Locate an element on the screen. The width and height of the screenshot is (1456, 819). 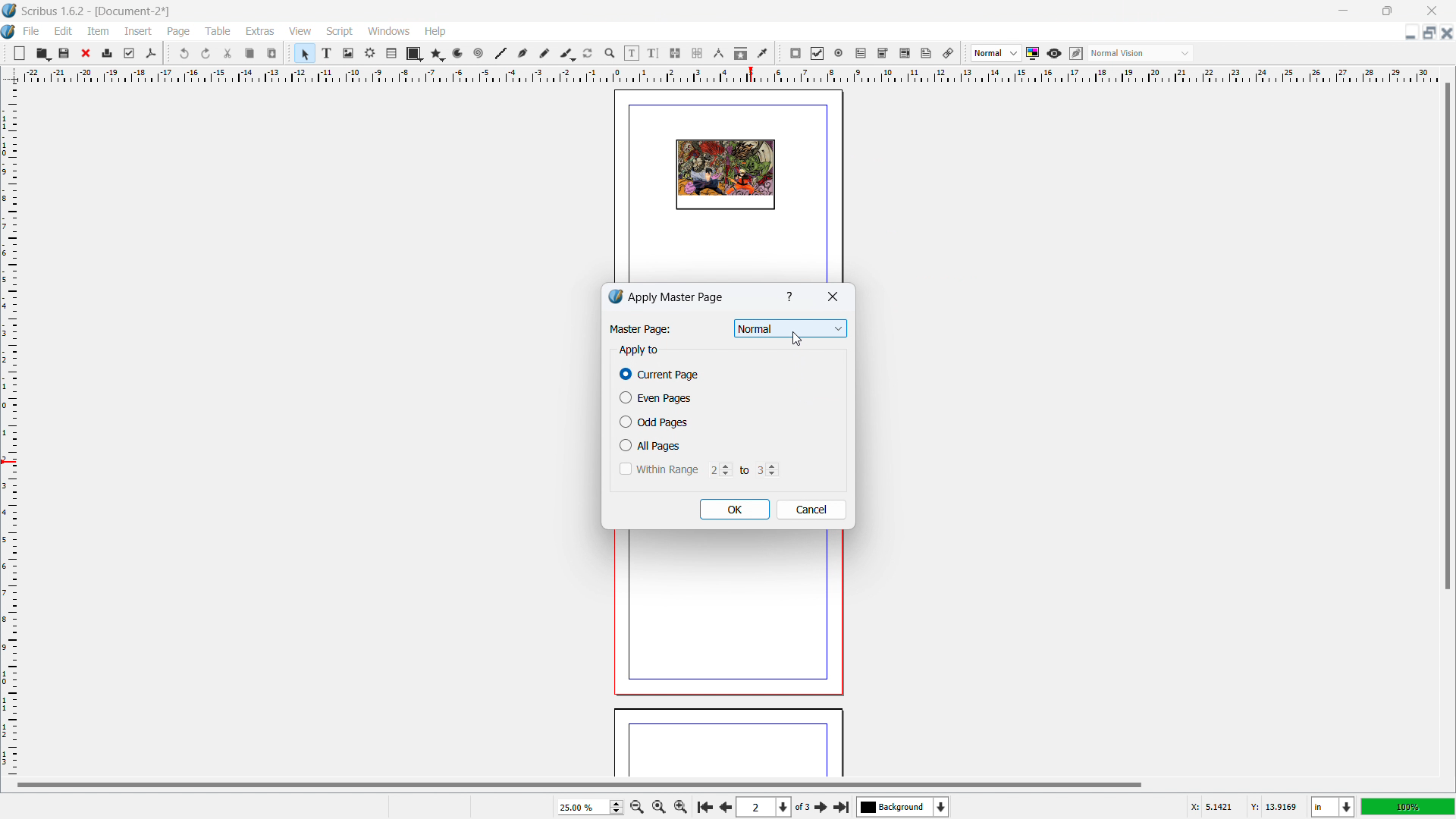
maximize document is located at coordinates (1427, 33).